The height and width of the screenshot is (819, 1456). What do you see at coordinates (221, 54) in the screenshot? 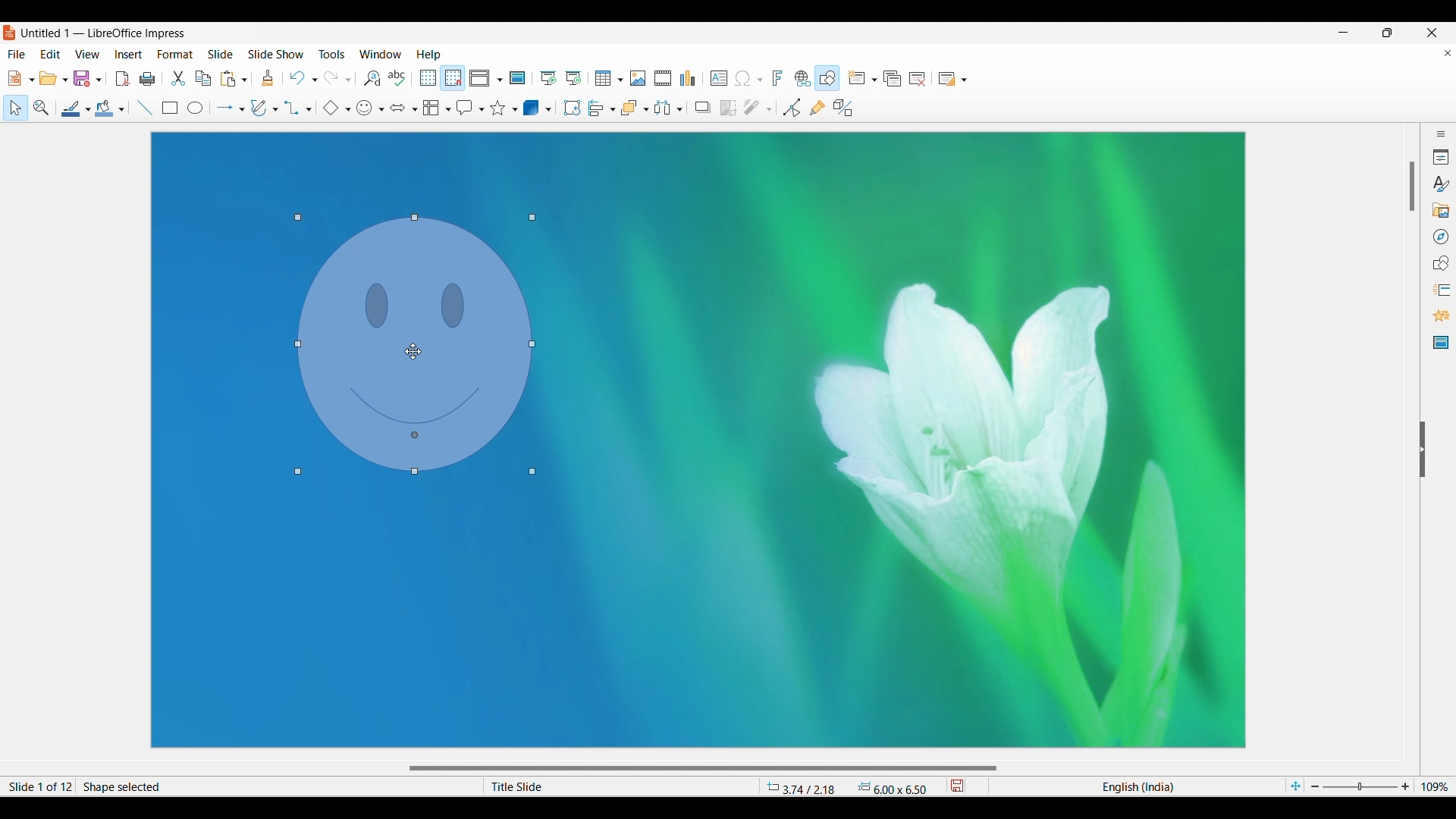
I see `Slide` at bounding box center [221, 54].